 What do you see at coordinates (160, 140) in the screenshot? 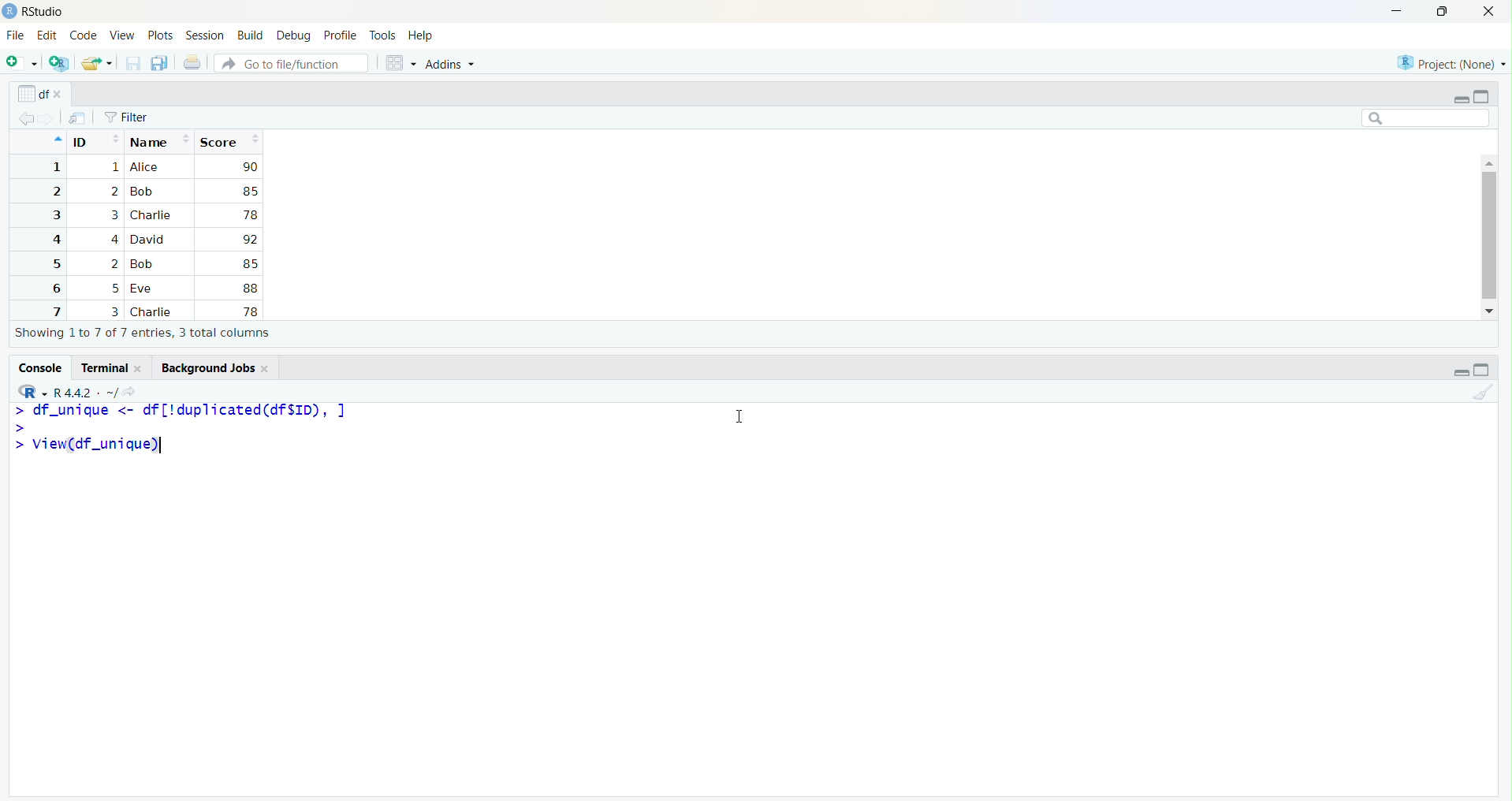
I see `Name` at bounding box center [160, 140].